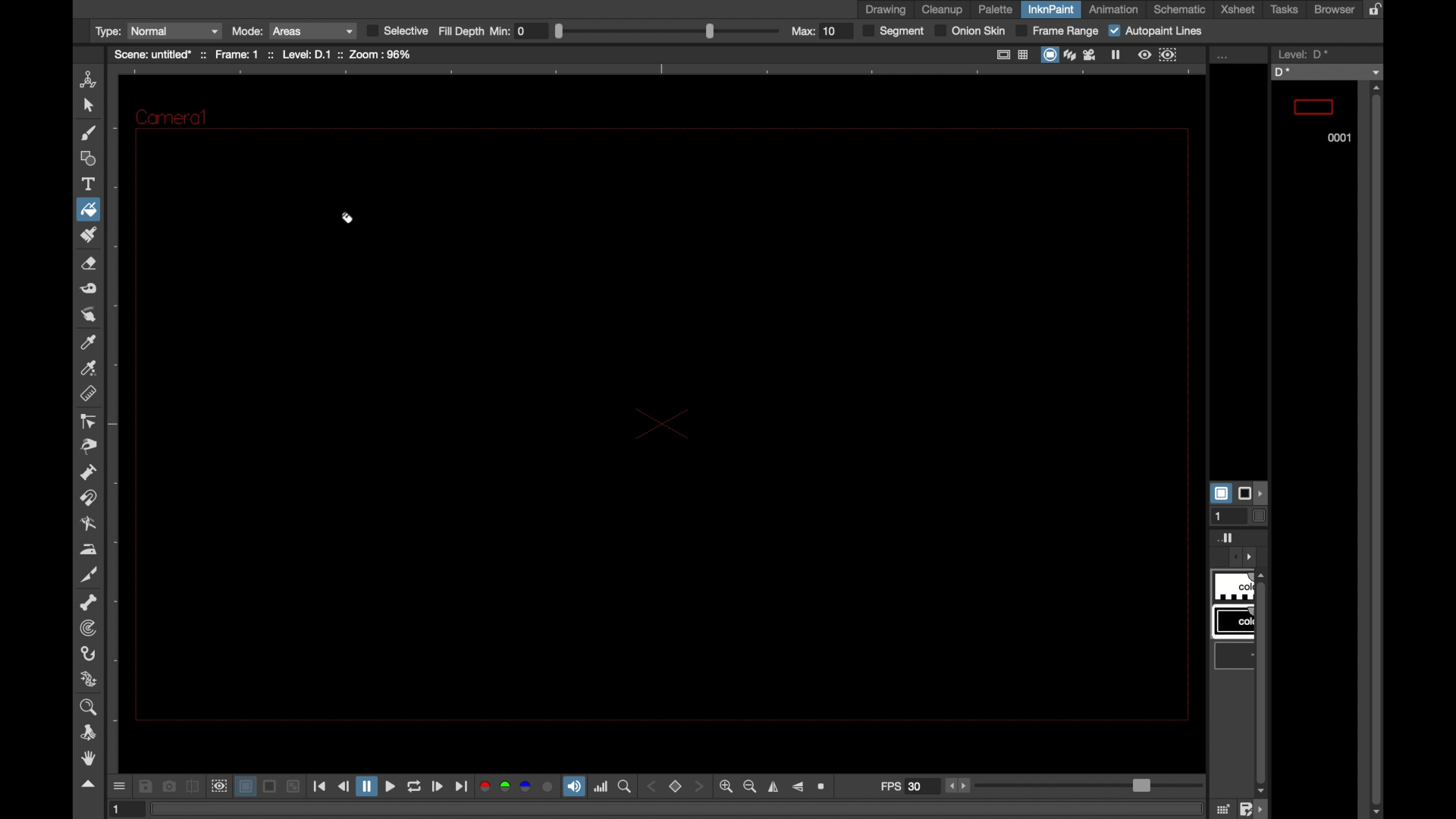 The image size is (1456, 819). Describe the element at coordinates (344, 786) in the screenshot. I see `previous frame` at that location.